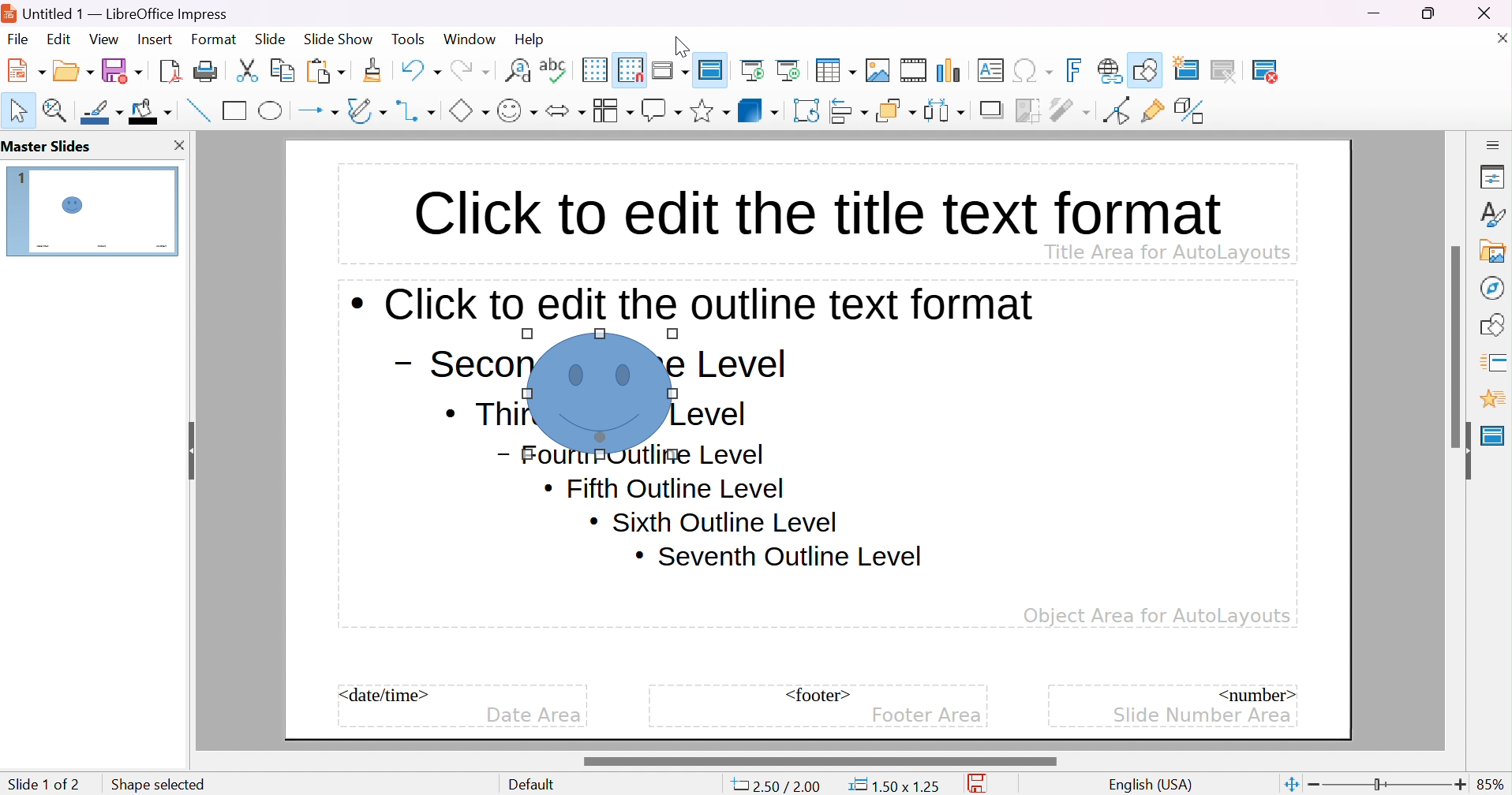 The width and height of the screenshot is (1512, 795). I want to click on sixth outline level, so click(713, 521).